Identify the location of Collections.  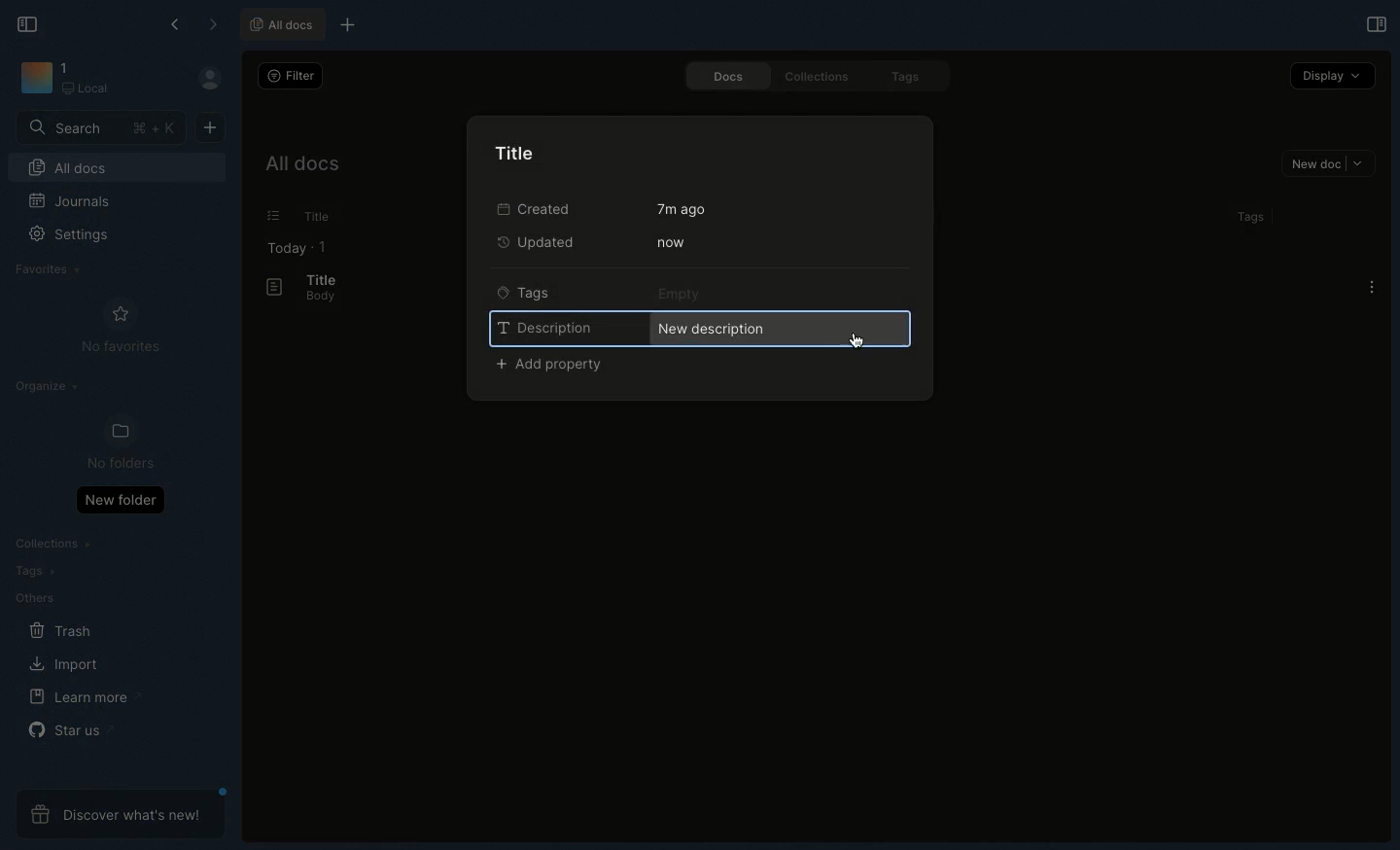
(813, 76).